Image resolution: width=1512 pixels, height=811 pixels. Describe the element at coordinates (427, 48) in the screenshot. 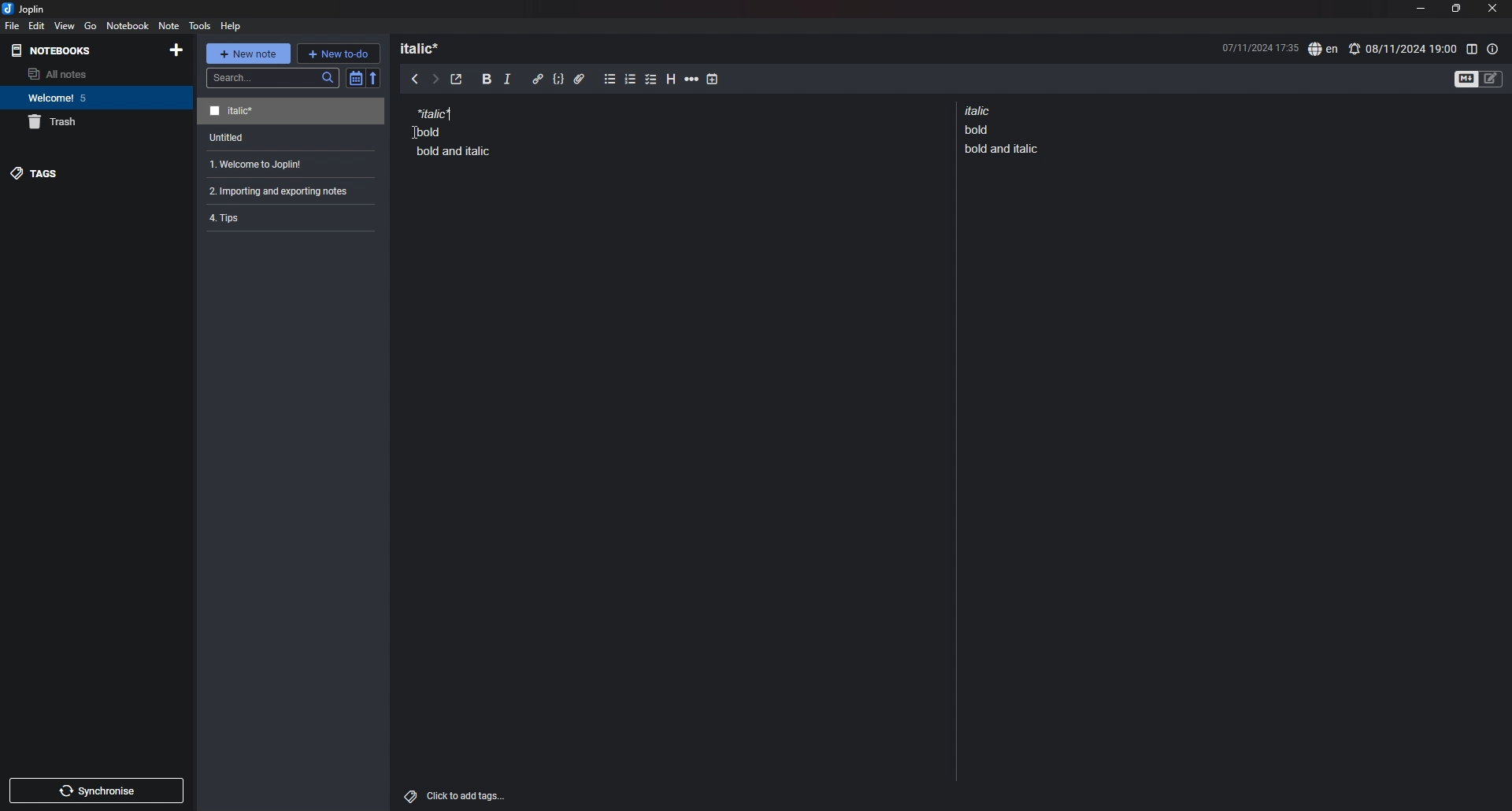

I see `heading` at that location.